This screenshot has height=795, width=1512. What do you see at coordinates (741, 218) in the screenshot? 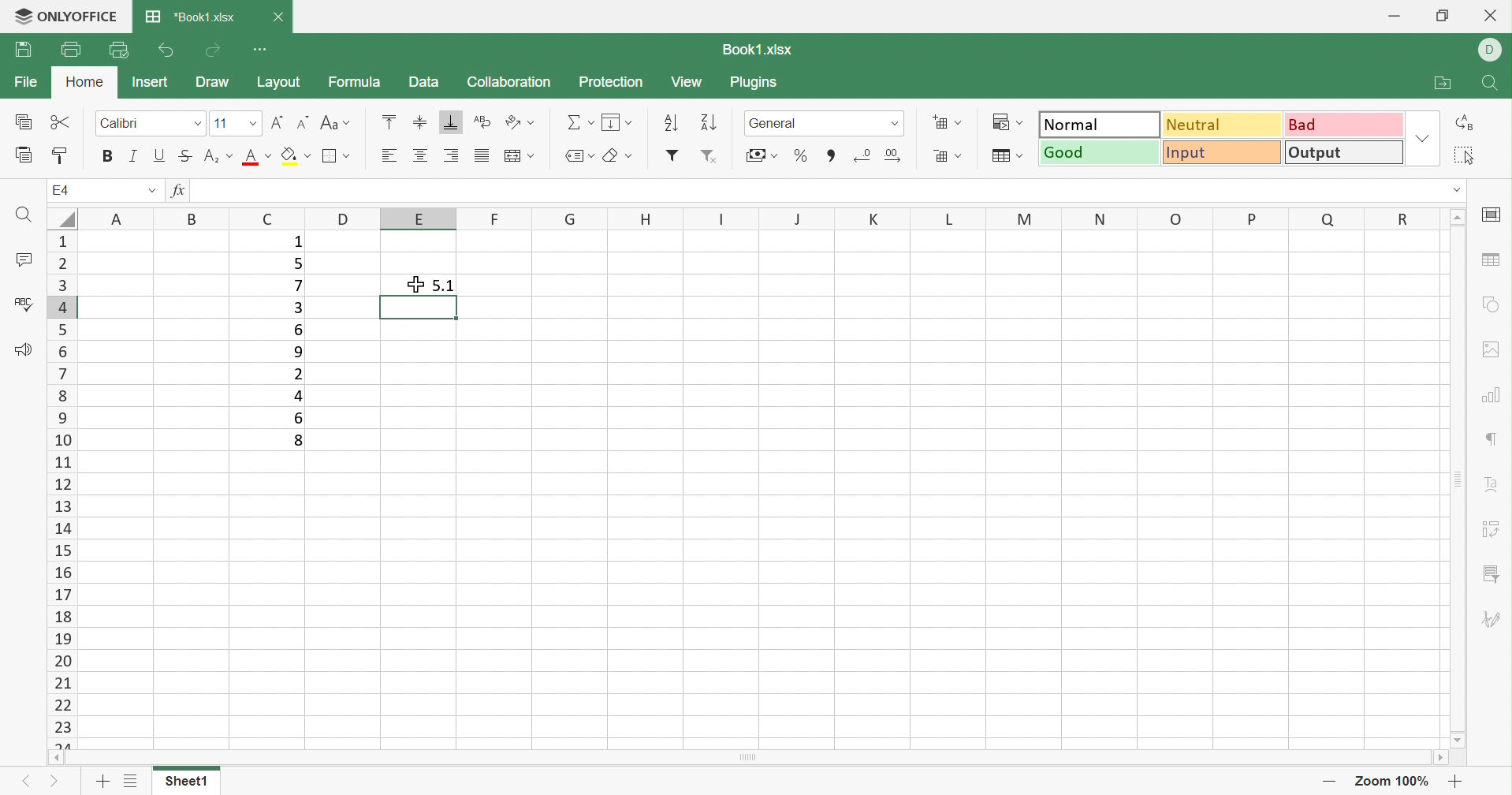
I see `Column names` at bounding box center [741, 218].